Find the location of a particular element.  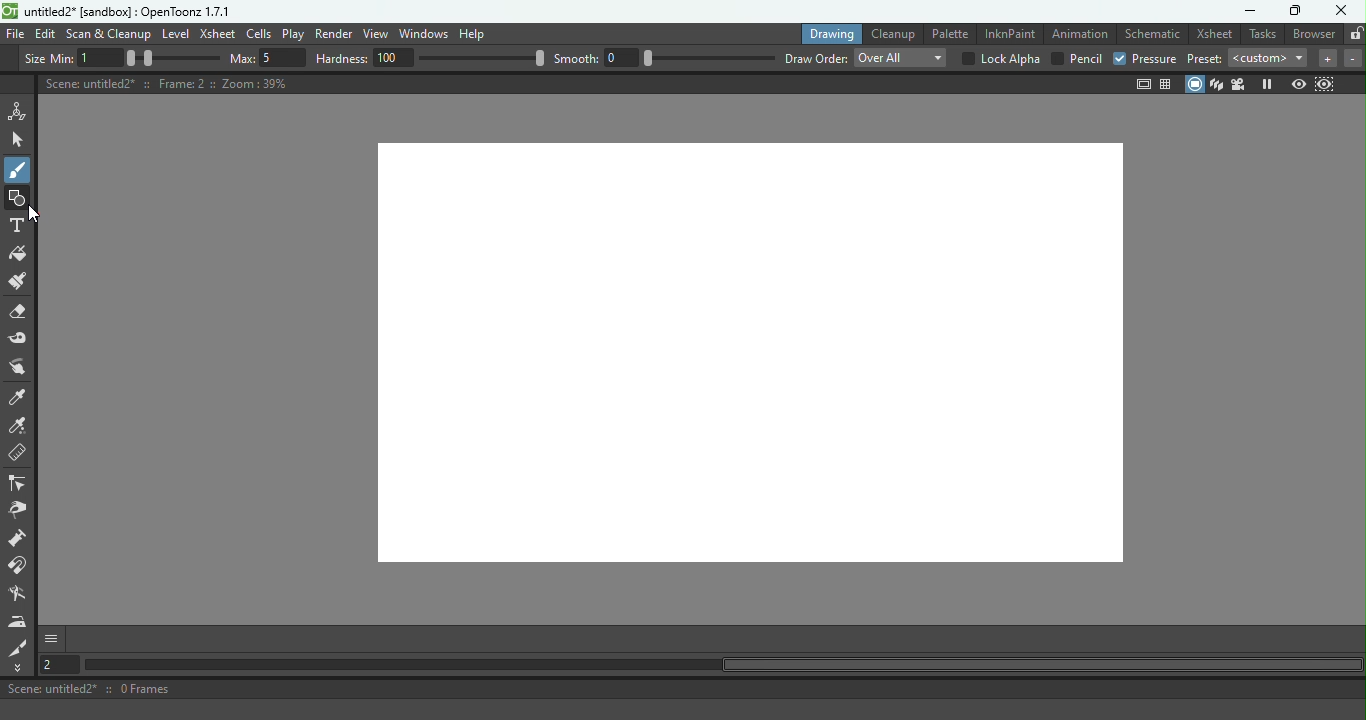

Pinch tool is located at coordinates (23, 511).